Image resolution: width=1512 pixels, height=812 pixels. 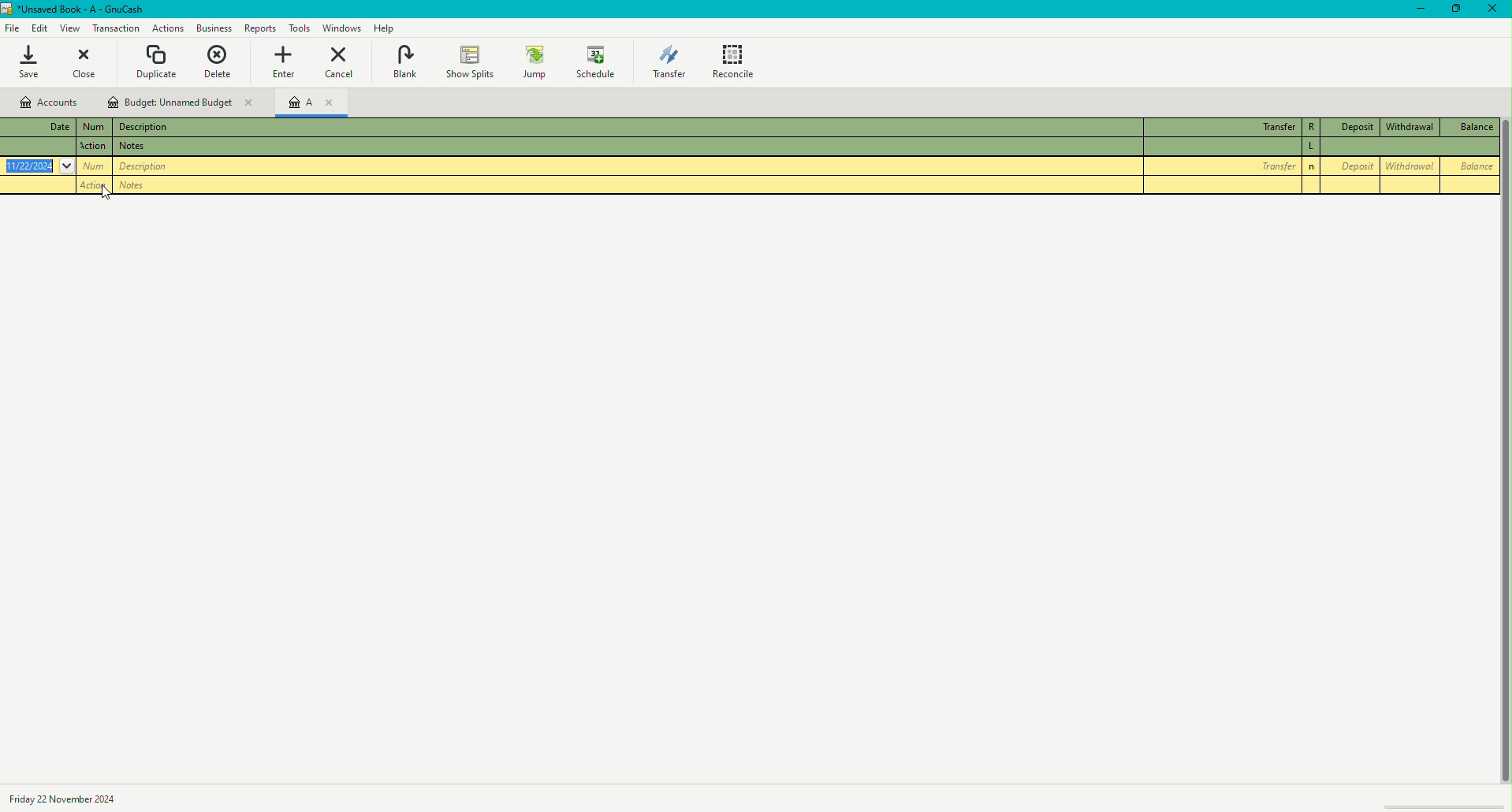 I want to click on Cancel, so click(x=337, y=61).